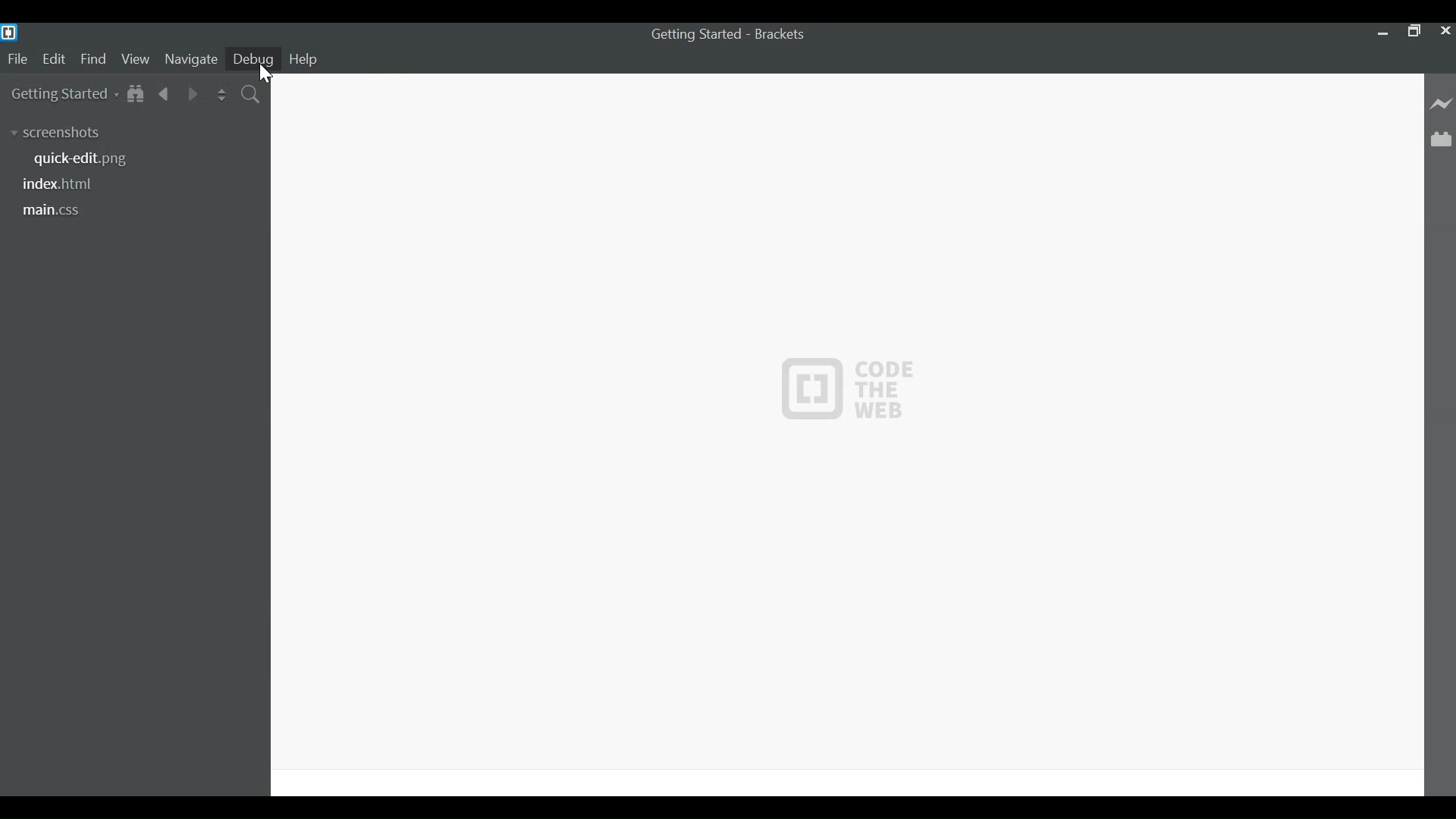 The image size is (1456, 819). Describe the element at coordinates (65, 96) in the screenshot. I see `Getting Started` at that location.